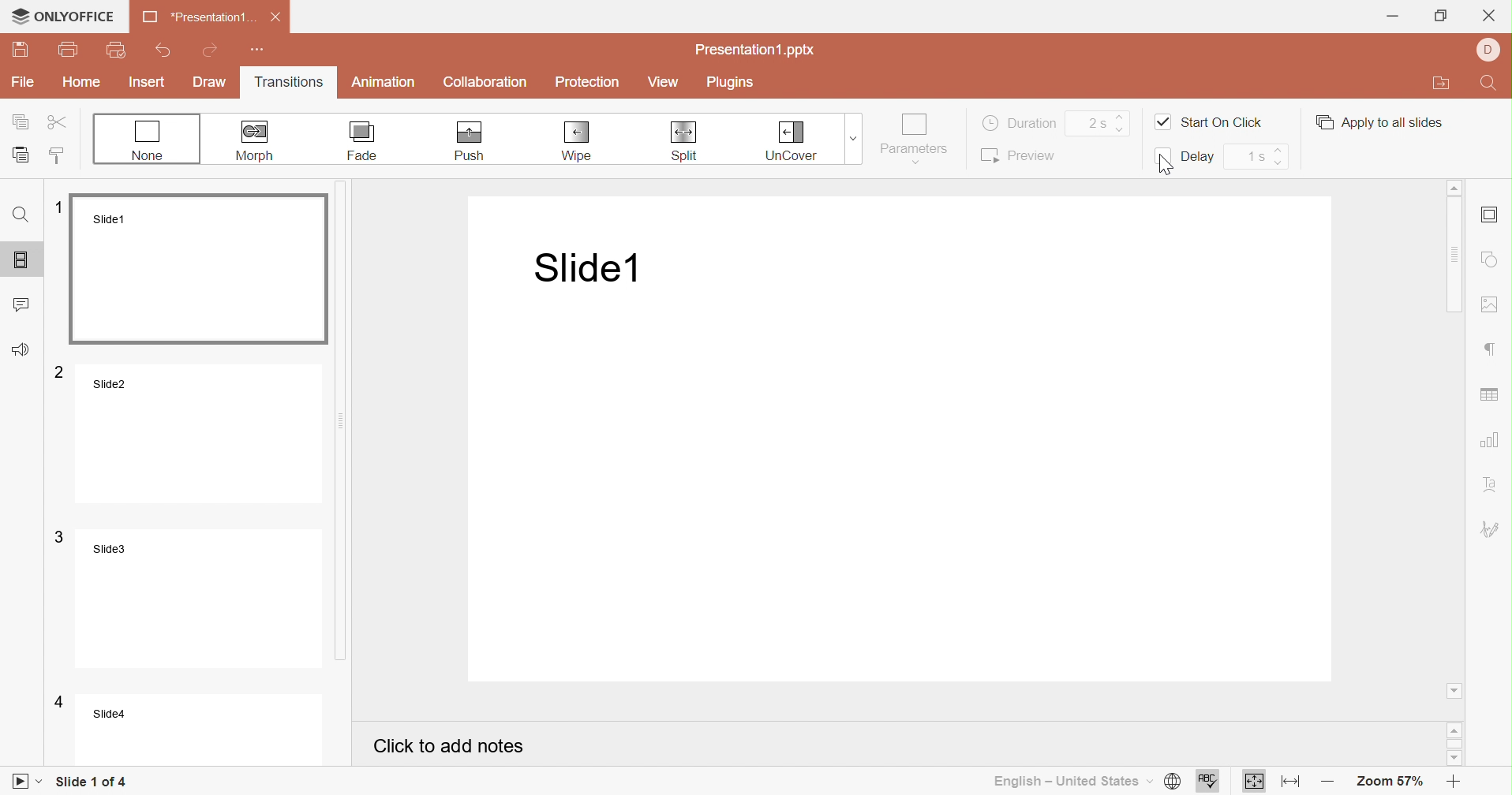  What do you see at coordinates (294, 84) in the screenshot?
I see `Transitions` at bounding box center [294, 84].